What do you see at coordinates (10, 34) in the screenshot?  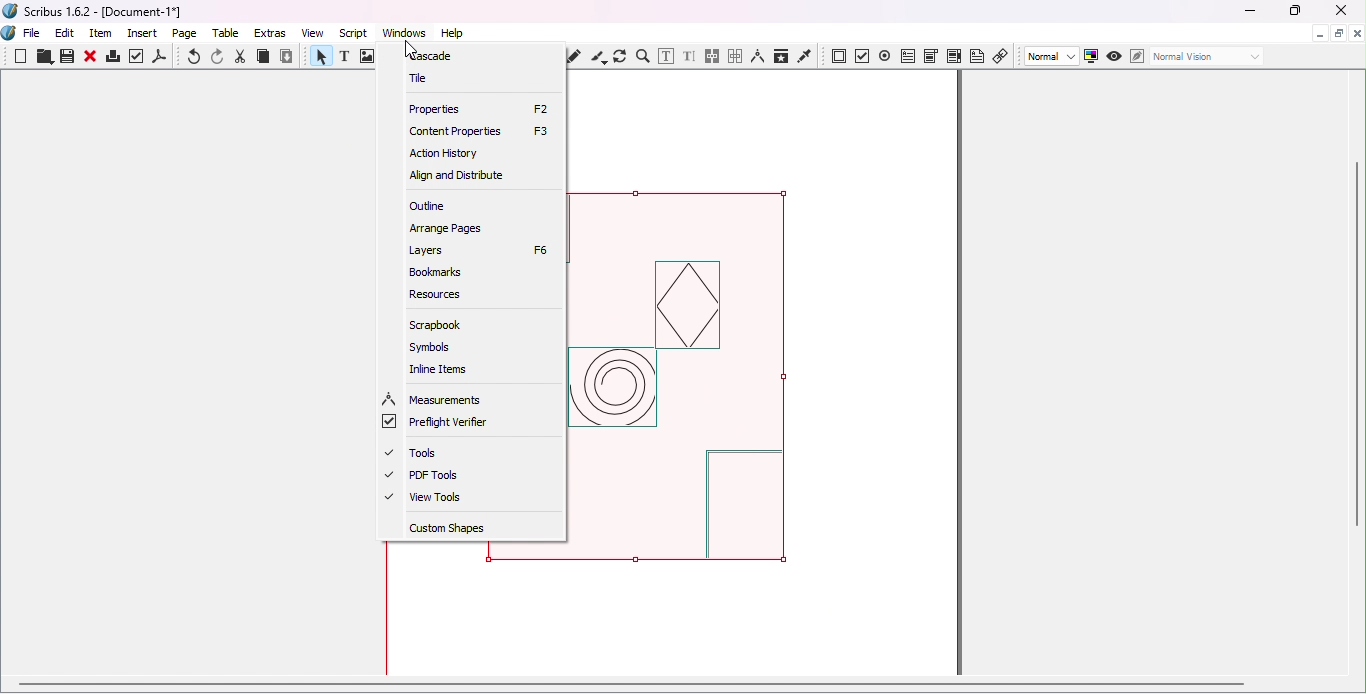 I see `Logo` at bounding box center [10, 34].